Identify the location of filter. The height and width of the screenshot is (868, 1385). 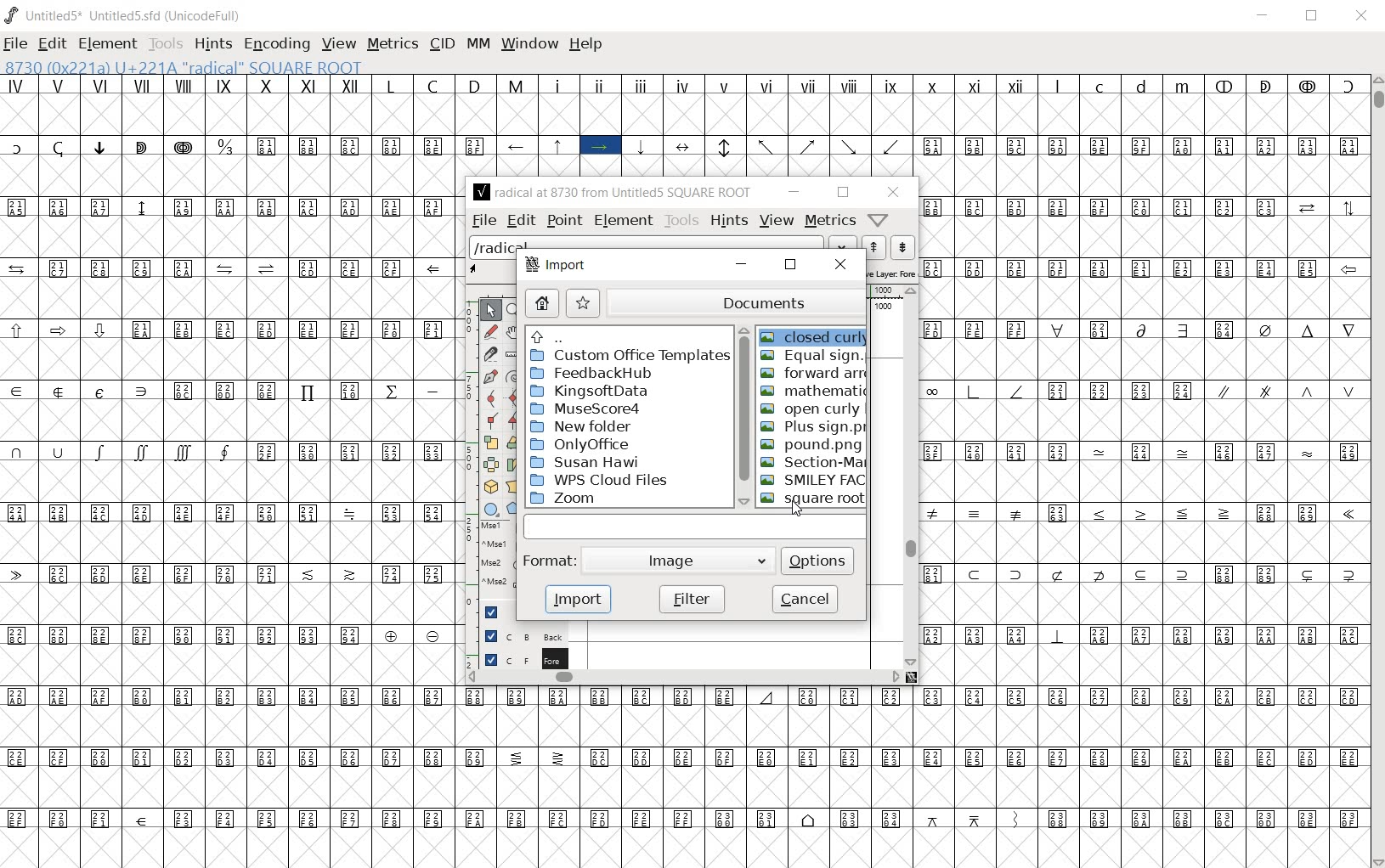
(693, 598).